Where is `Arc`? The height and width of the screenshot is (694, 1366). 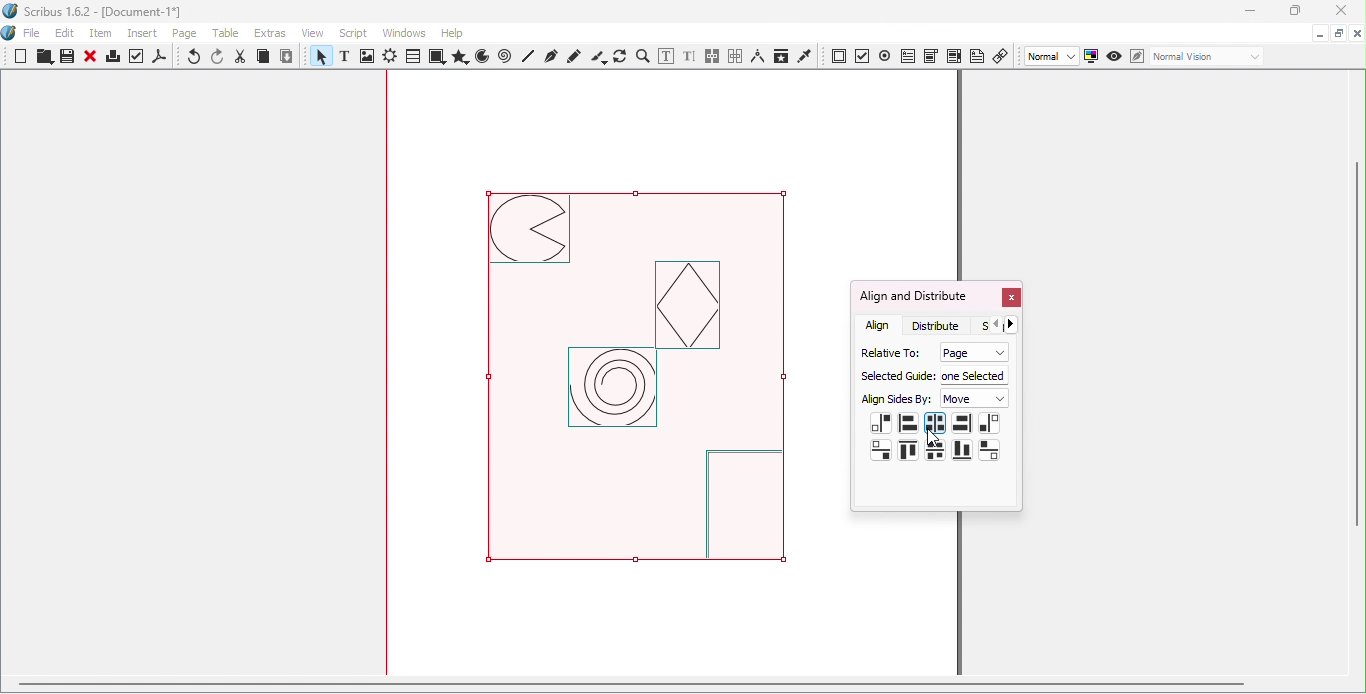
Arc is located at coordinates (482, 58).